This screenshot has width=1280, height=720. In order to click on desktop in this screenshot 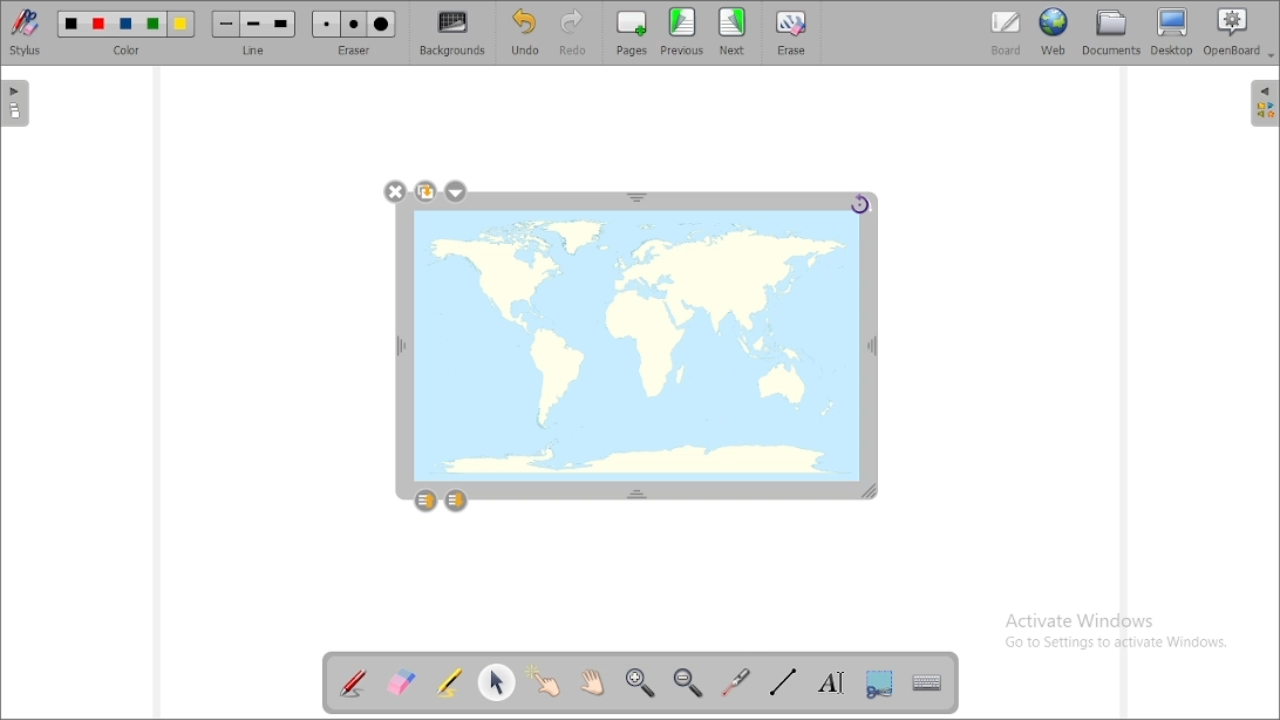, I will do `click(1172, 31)`.